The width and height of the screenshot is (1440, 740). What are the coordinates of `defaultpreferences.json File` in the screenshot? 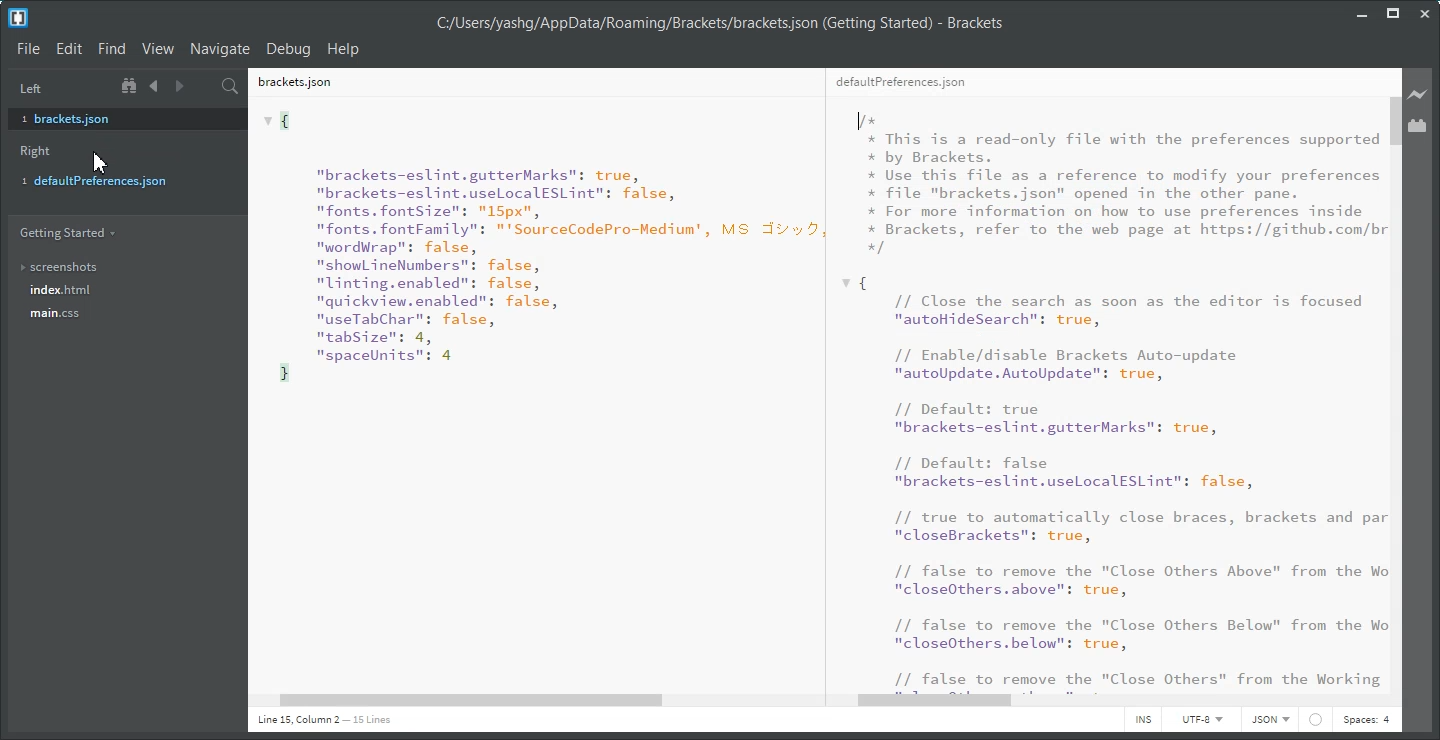 It's located at (1102, 82).